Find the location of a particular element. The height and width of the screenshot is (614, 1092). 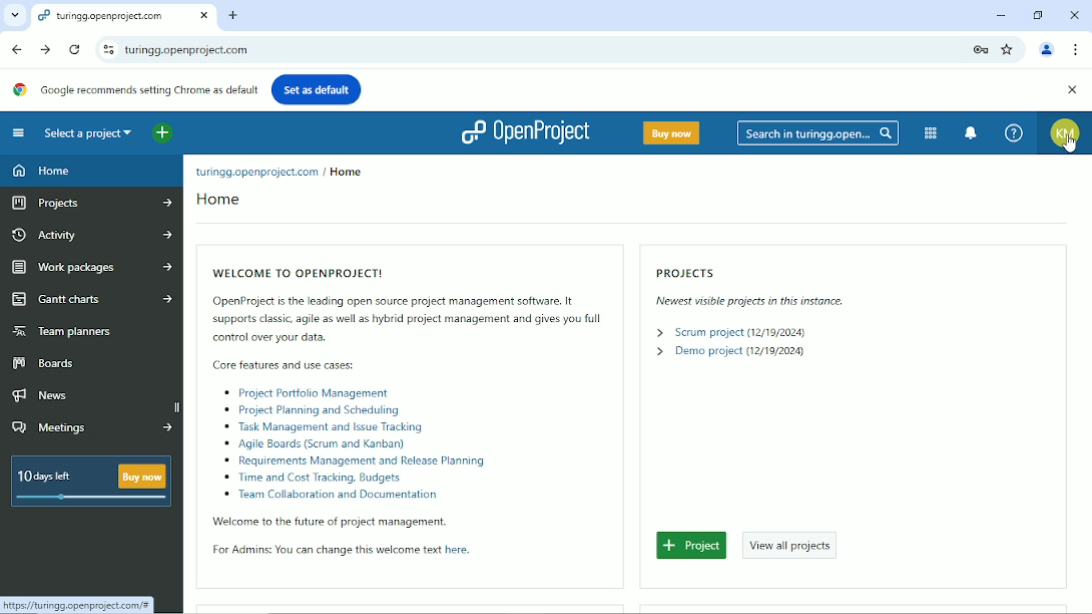

Lock is located at coordinates (980, 48).